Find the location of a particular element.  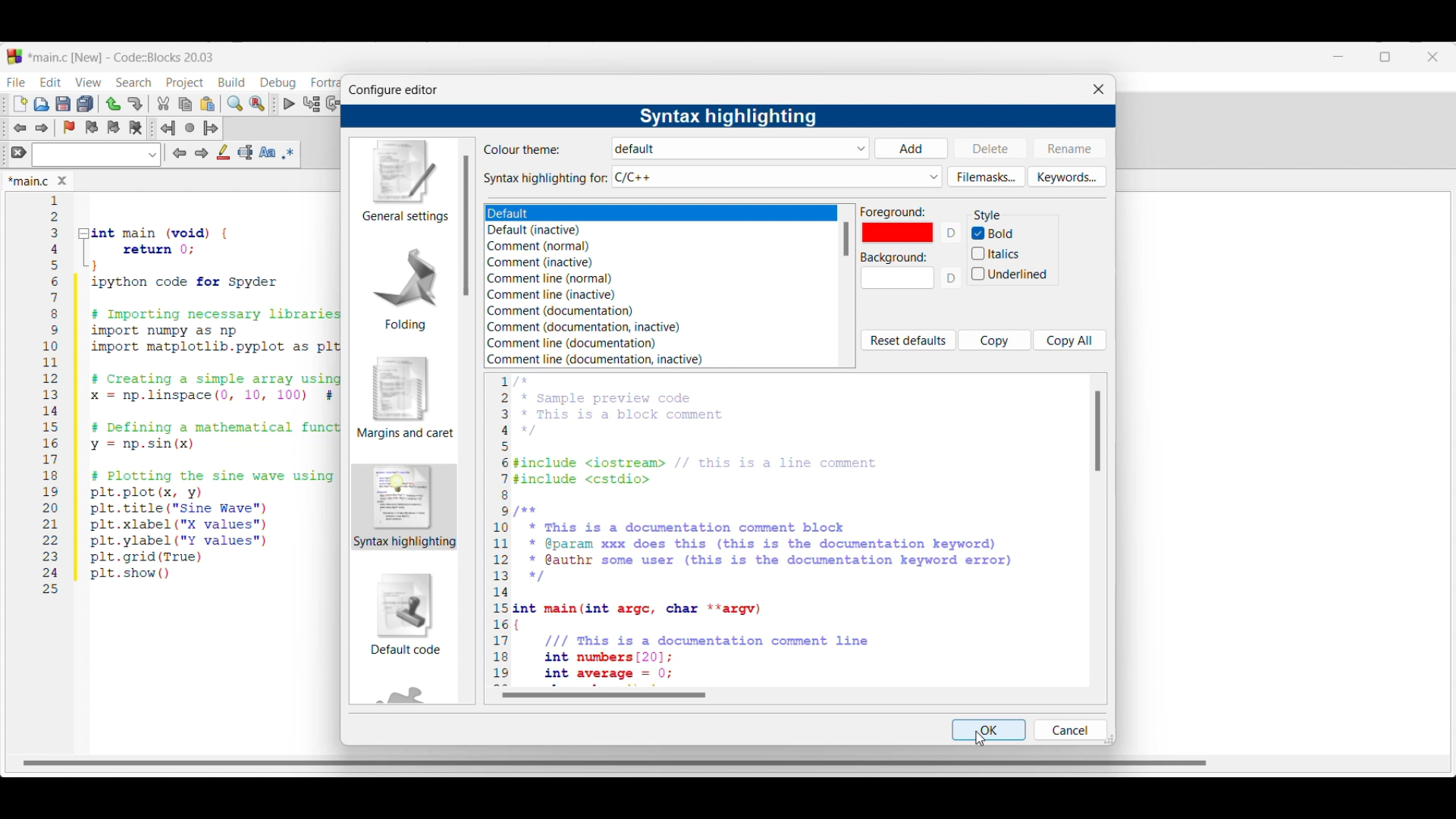

Add is located at coordinates (911, 149).